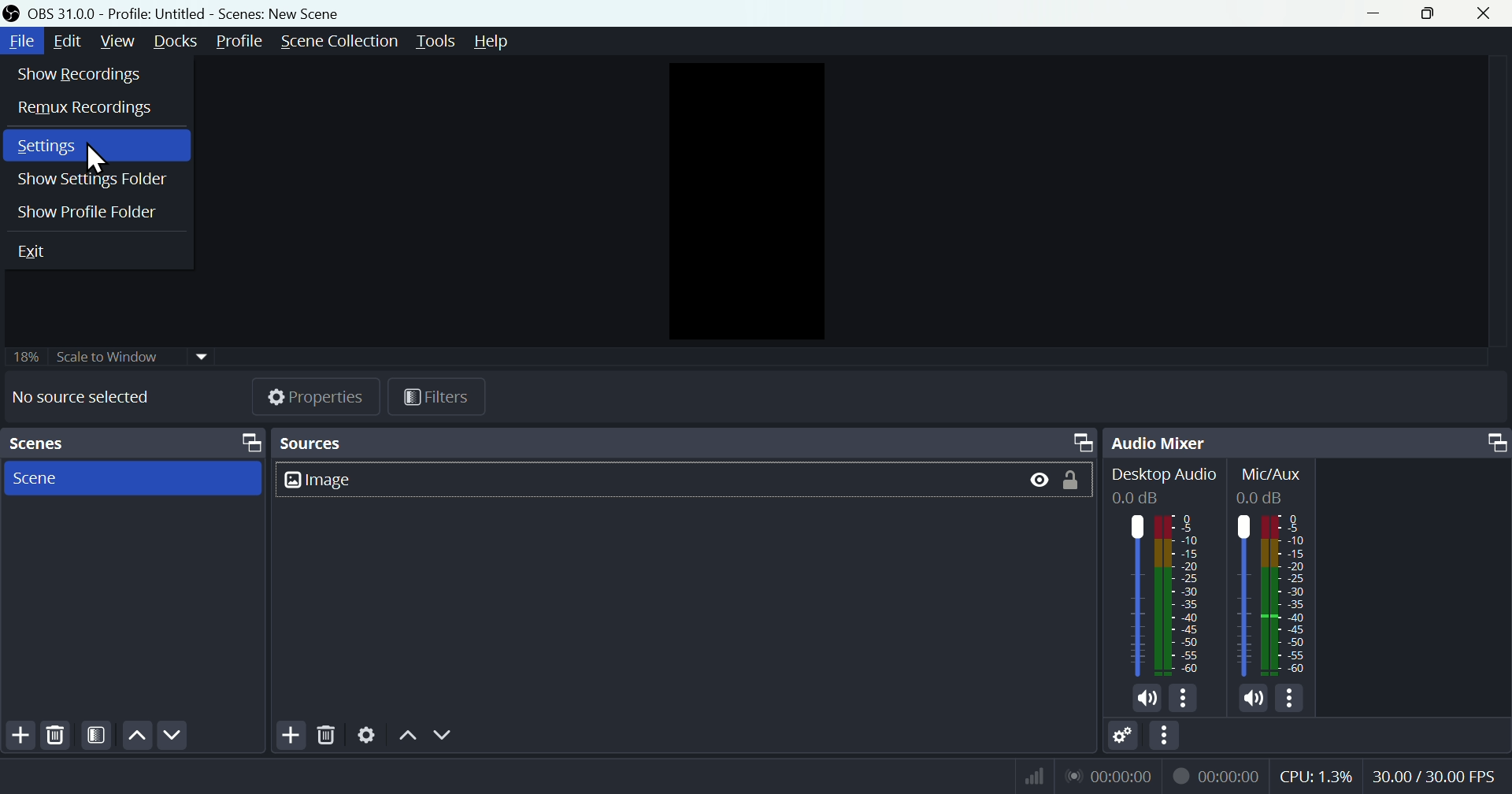 This screenshot has height=794, width=1512. Describe the element at coordinates (136, 736) in the screenshot. I see `up` at that location.